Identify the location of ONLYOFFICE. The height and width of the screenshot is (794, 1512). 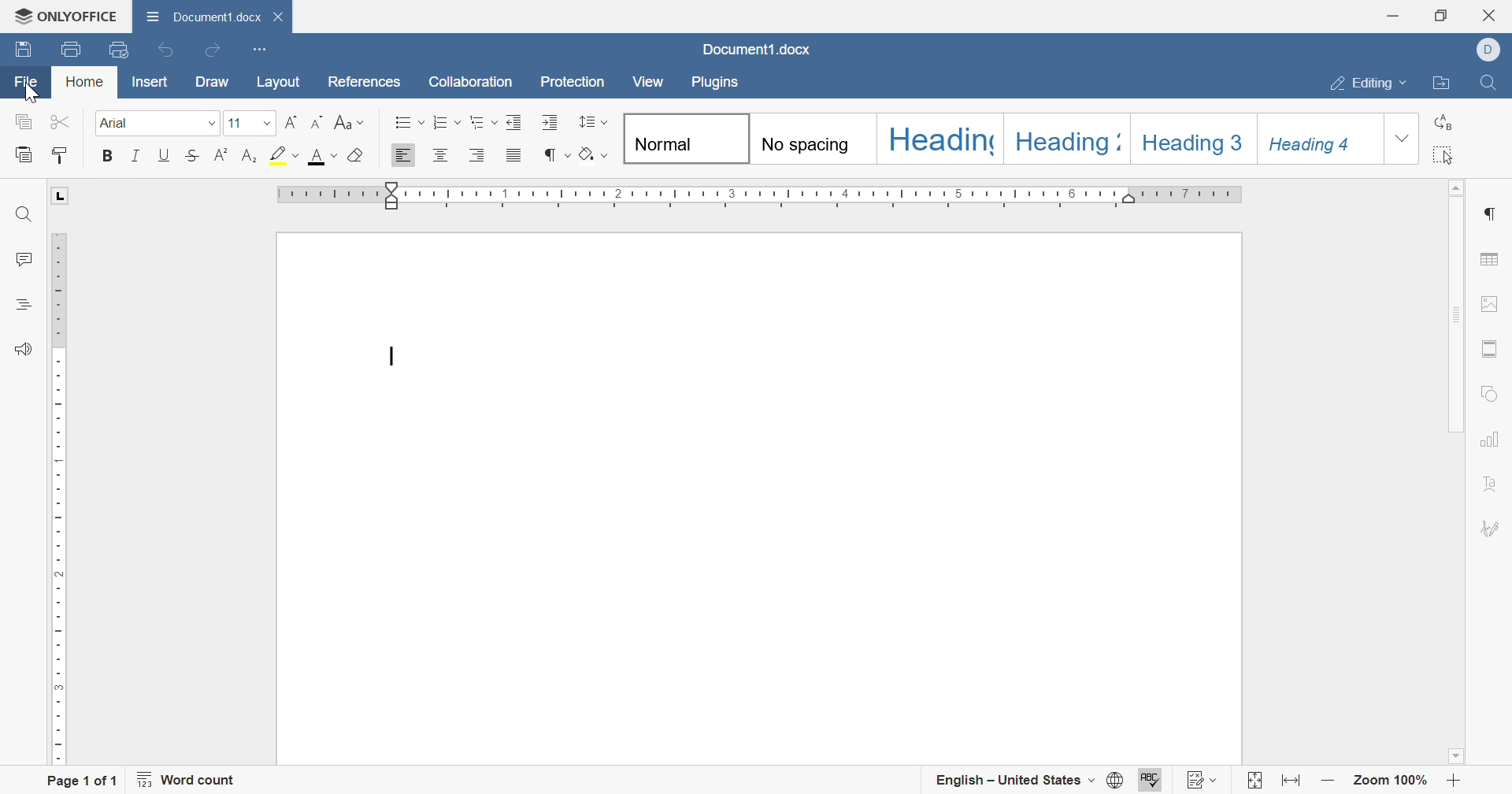
(63, 18).